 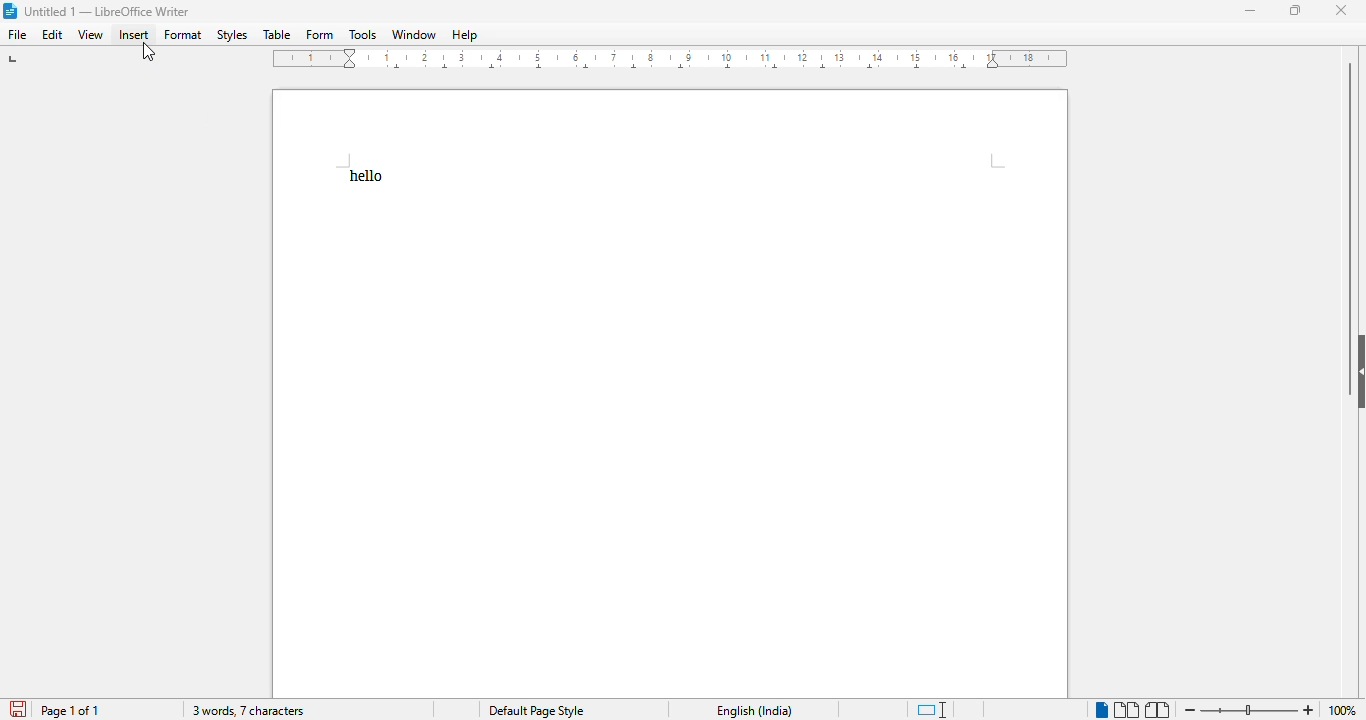 What do you see at coordinates (1101, 709) in the screenshot?
I see `single-page view` at bounding box center [1101, 709].